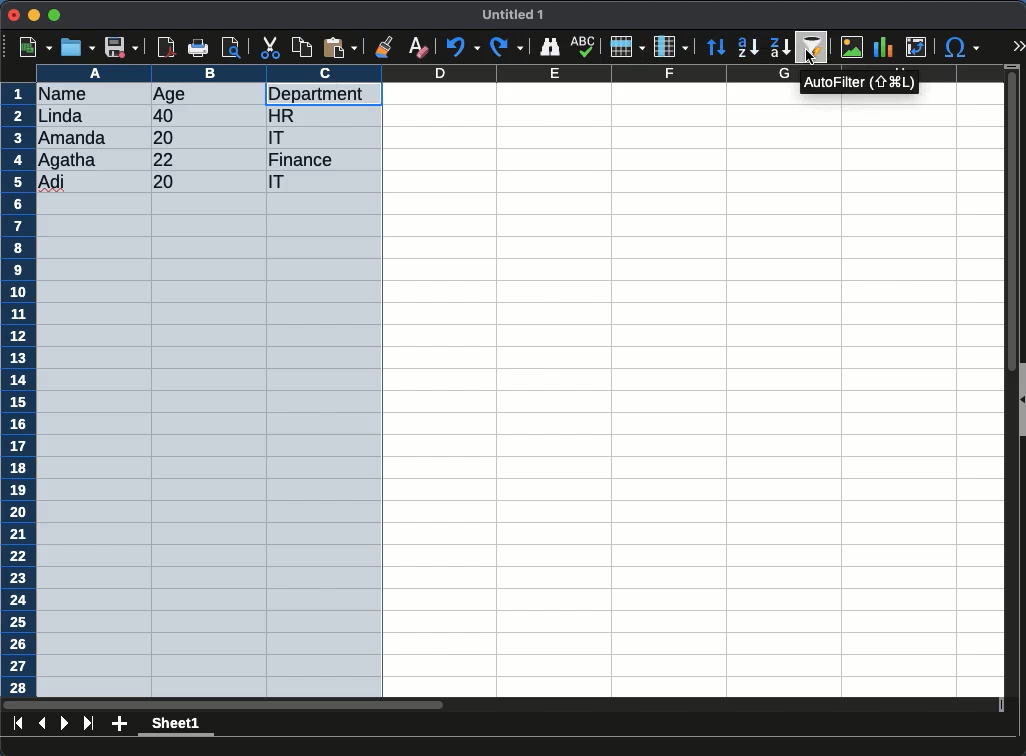  Describe the element at coordinates (748, 48) in the screenshot. I see `descending` at that location.